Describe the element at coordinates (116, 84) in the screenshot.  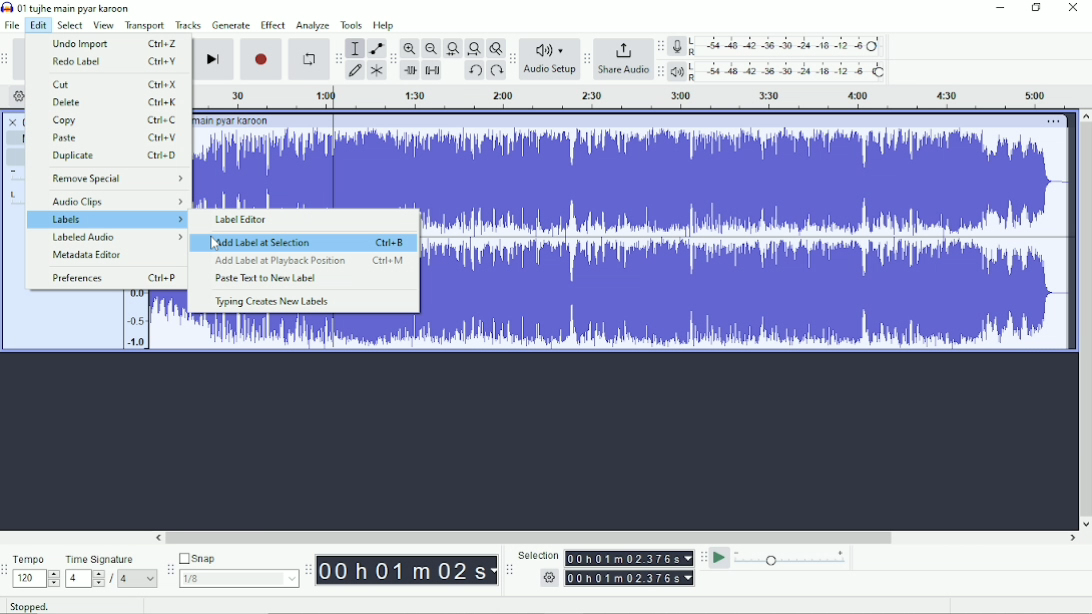
I see `Cut` at that location.